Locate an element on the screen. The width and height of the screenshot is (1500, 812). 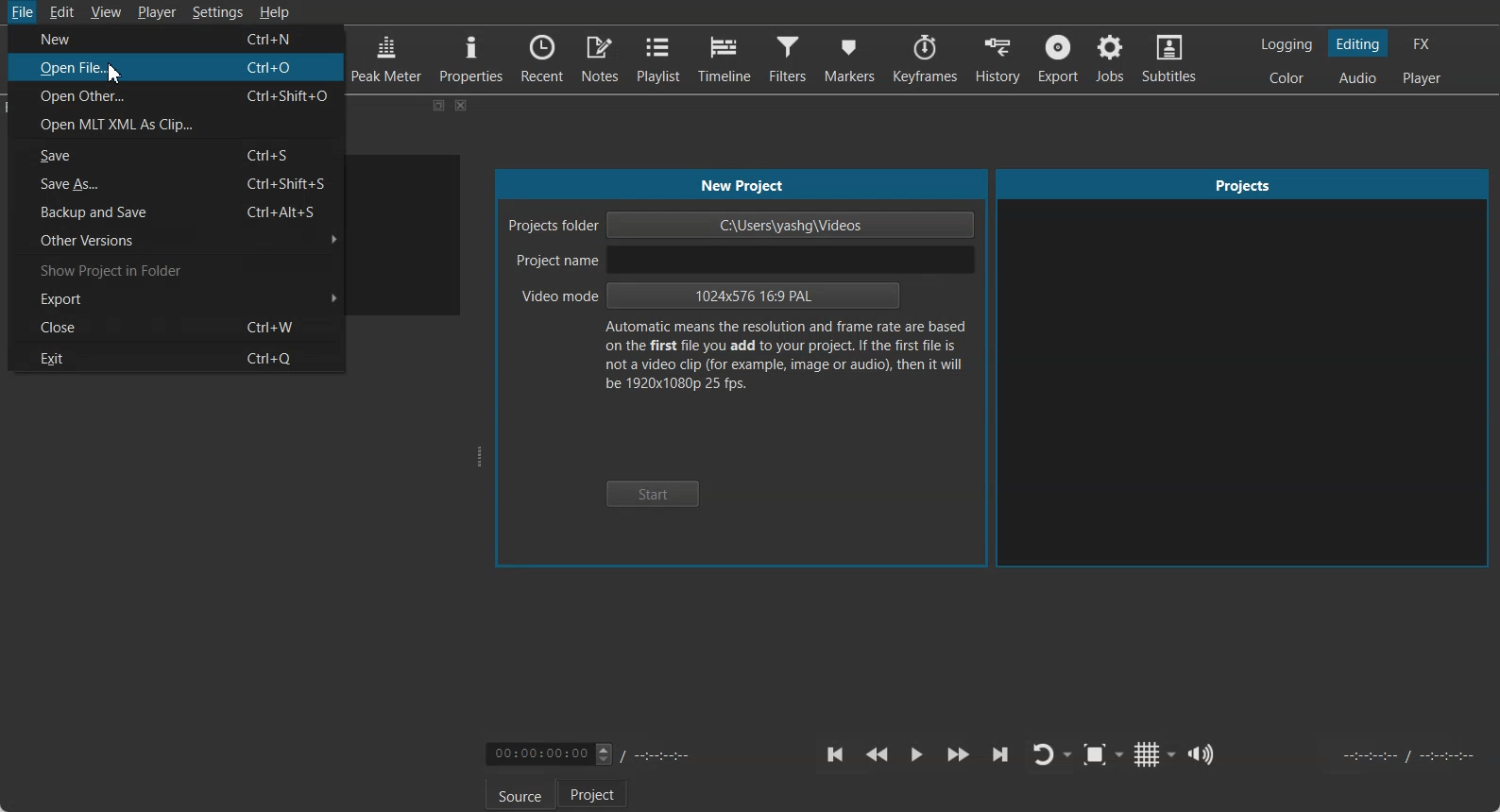
Other versions is located at coordinates (179, 241).